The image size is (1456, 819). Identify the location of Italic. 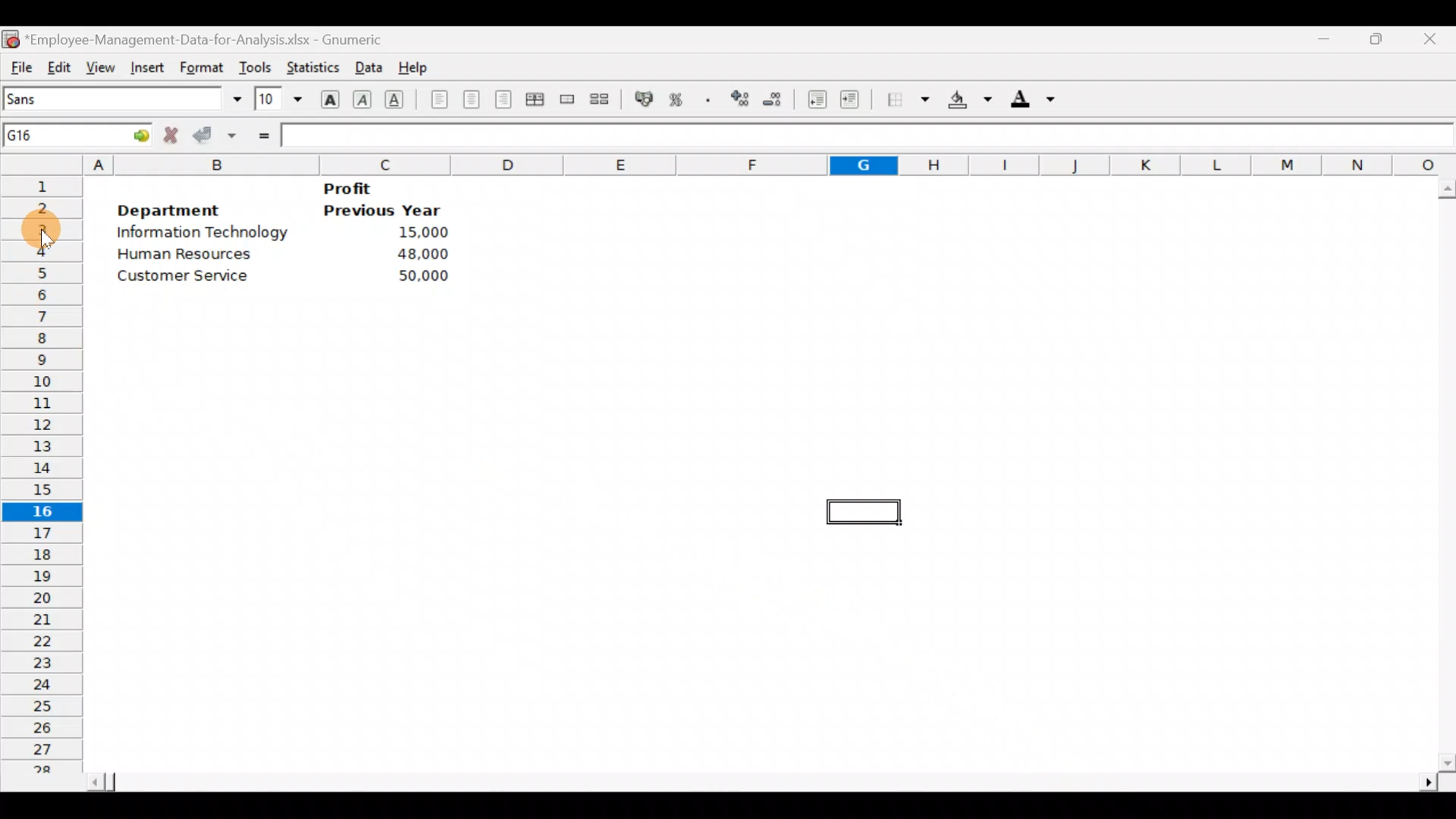
(362, 101).